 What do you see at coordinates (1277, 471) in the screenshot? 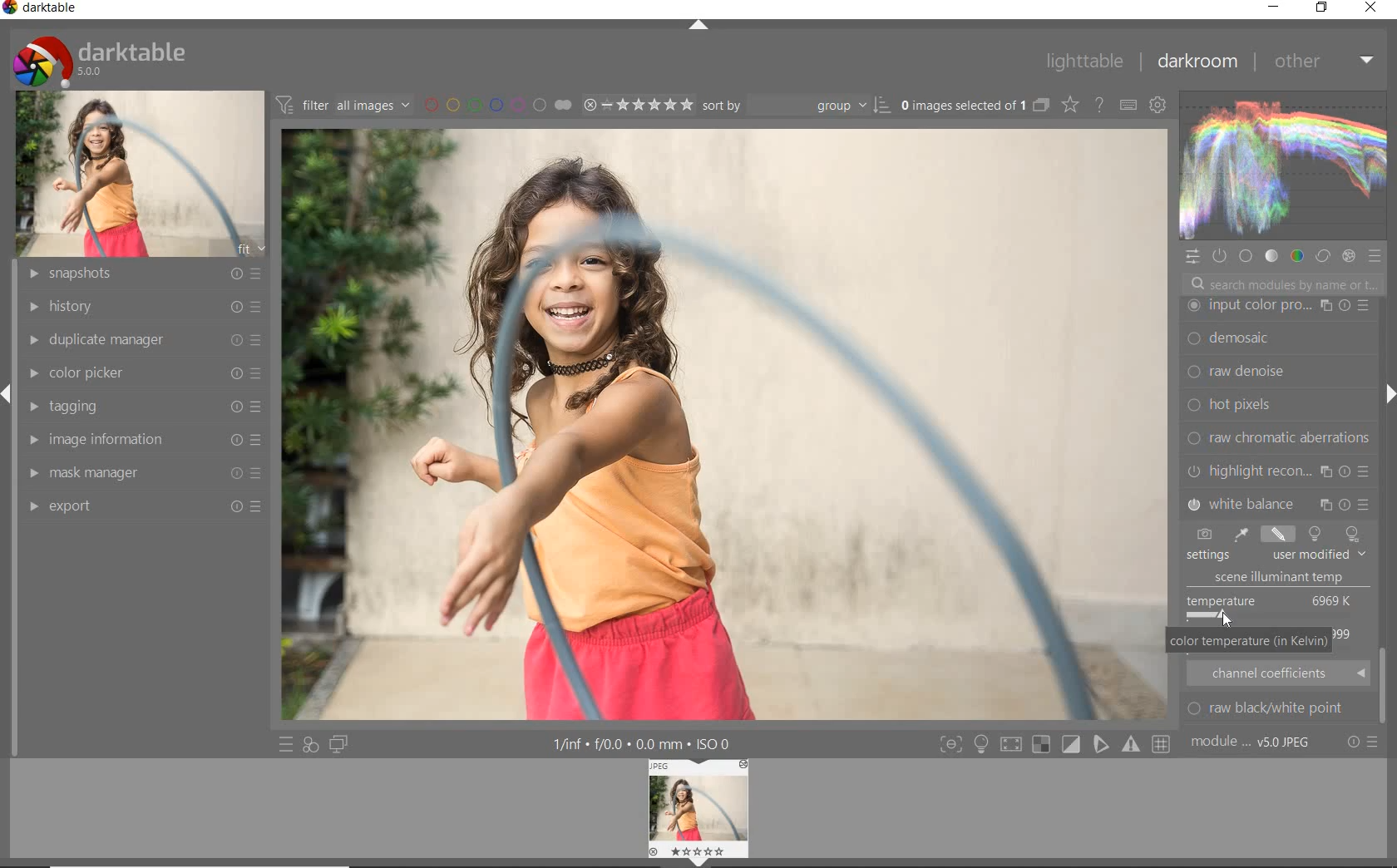
I see `vignetting` at bounding box center [1277, 471].